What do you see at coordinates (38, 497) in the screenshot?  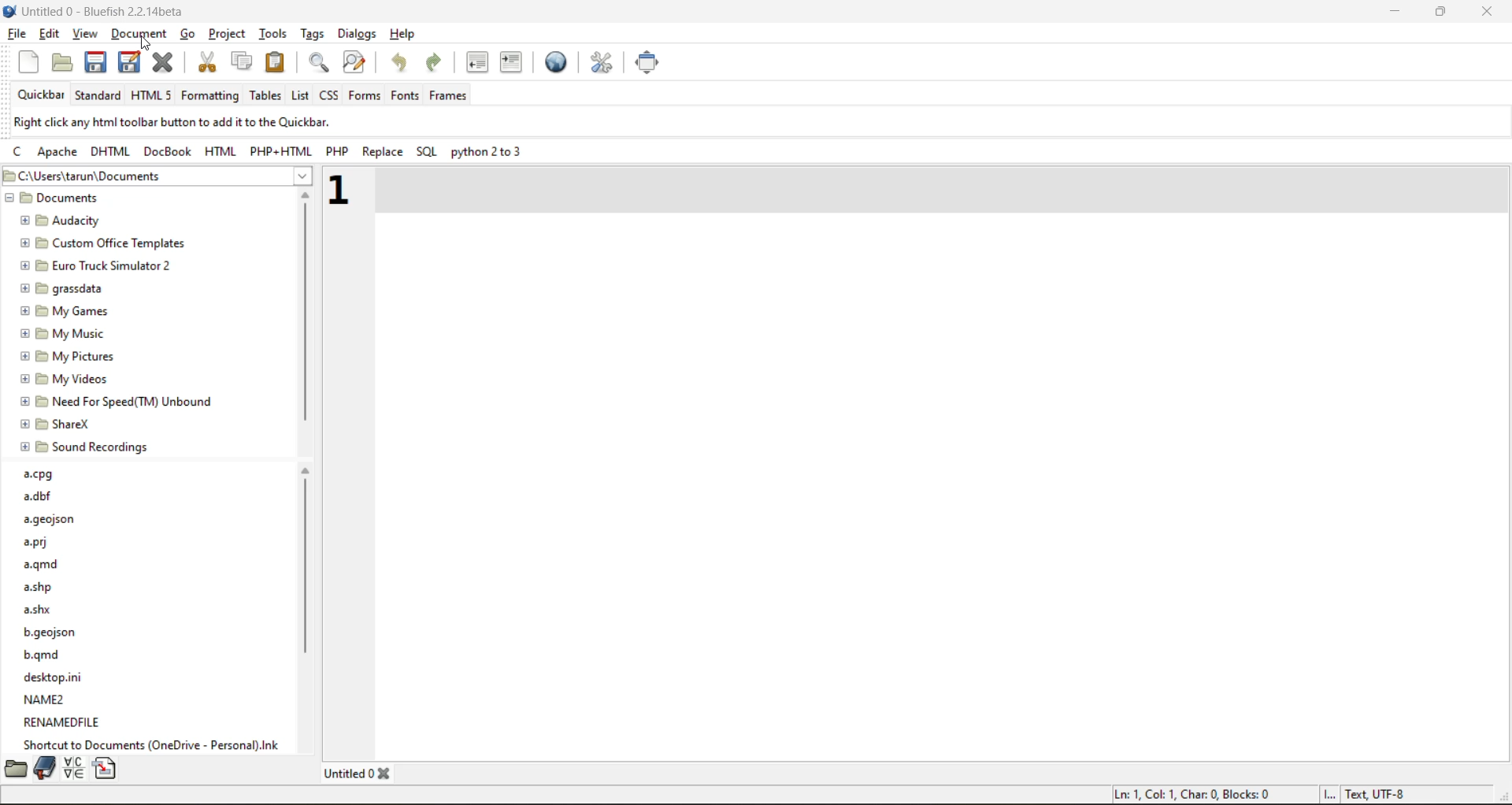 I see `a.dbf` at bounding box center [38, 497].